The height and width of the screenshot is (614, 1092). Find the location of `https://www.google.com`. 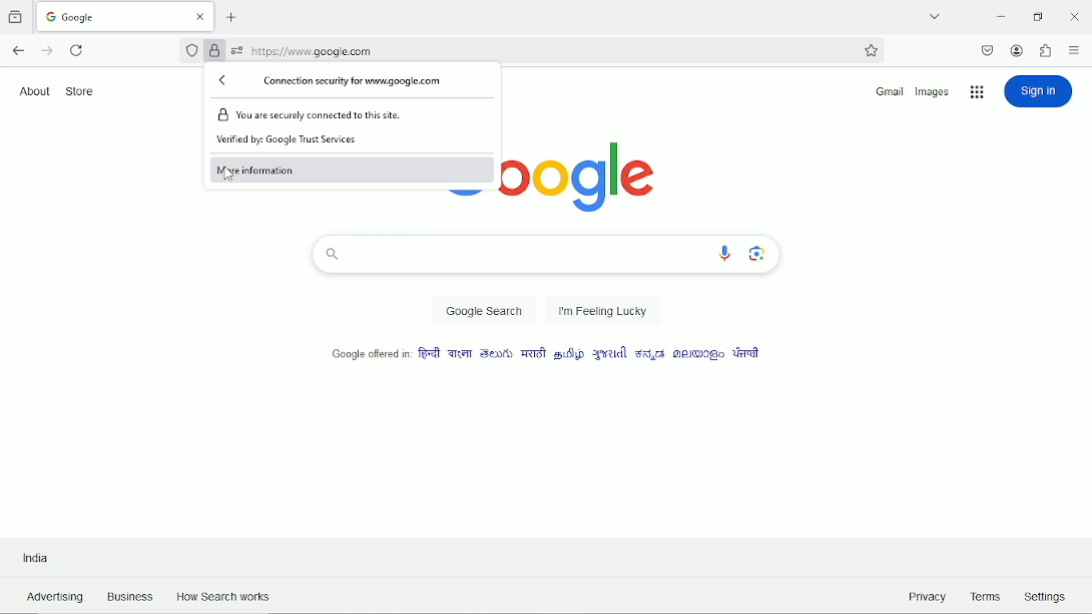

https://www.google.com is located at coordinates (318, 51).